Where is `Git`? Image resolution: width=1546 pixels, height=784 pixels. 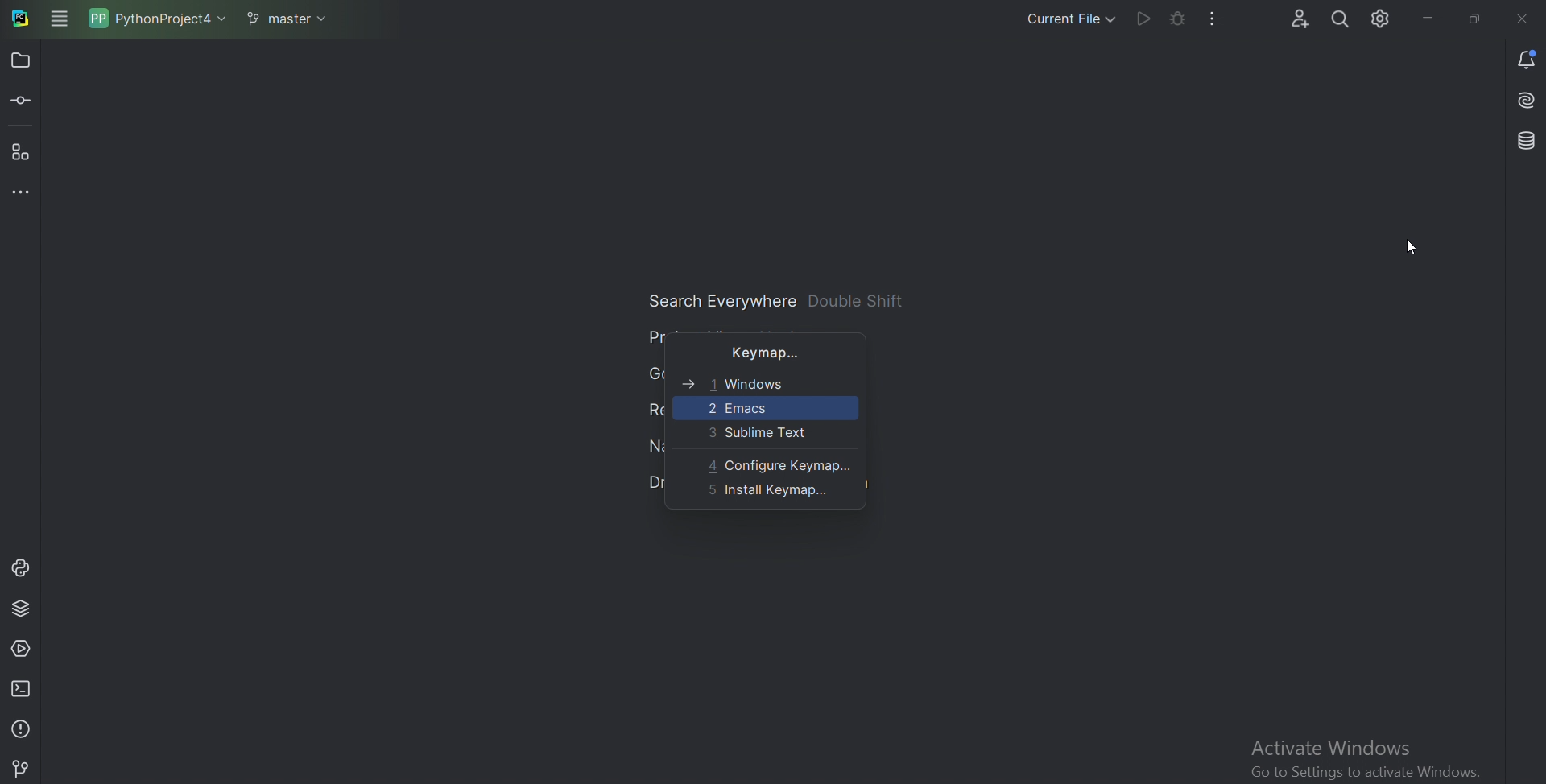
Git is located at coordinates (23, 765).